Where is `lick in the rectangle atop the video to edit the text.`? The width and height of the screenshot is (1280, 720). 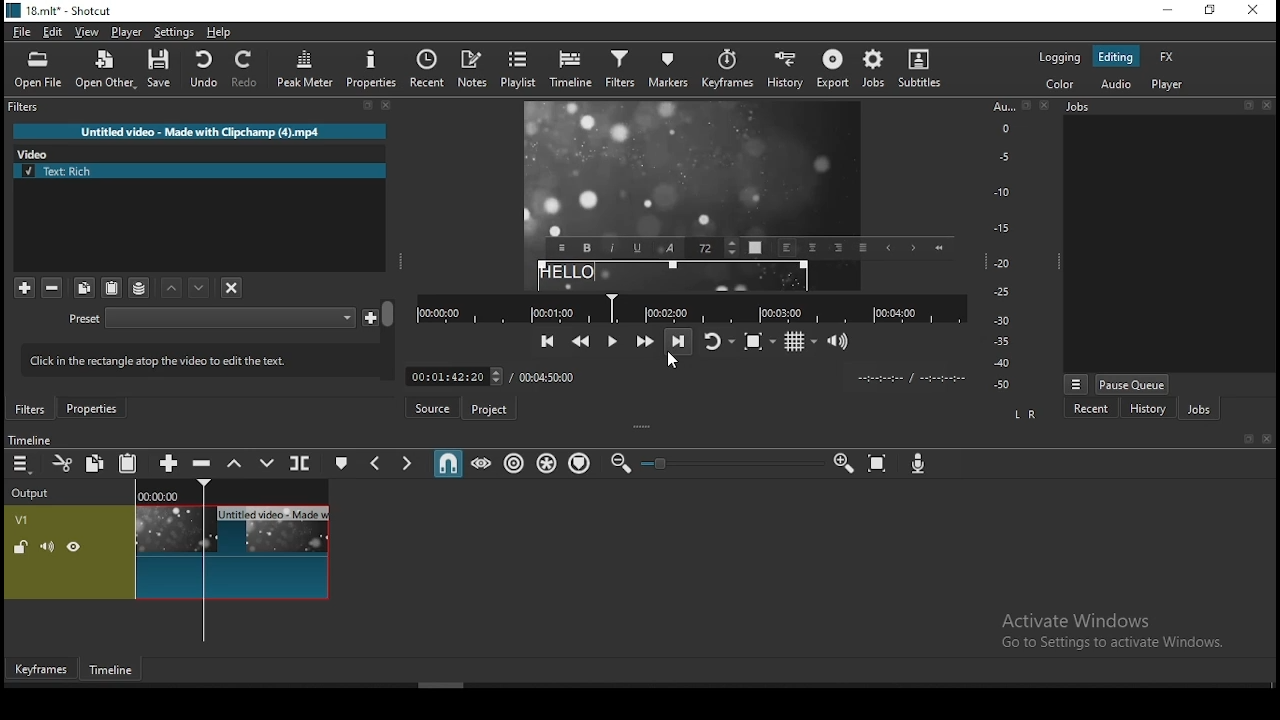
lick in the rectangle atop the video to edit the text. is located at coordinates (191, 358).